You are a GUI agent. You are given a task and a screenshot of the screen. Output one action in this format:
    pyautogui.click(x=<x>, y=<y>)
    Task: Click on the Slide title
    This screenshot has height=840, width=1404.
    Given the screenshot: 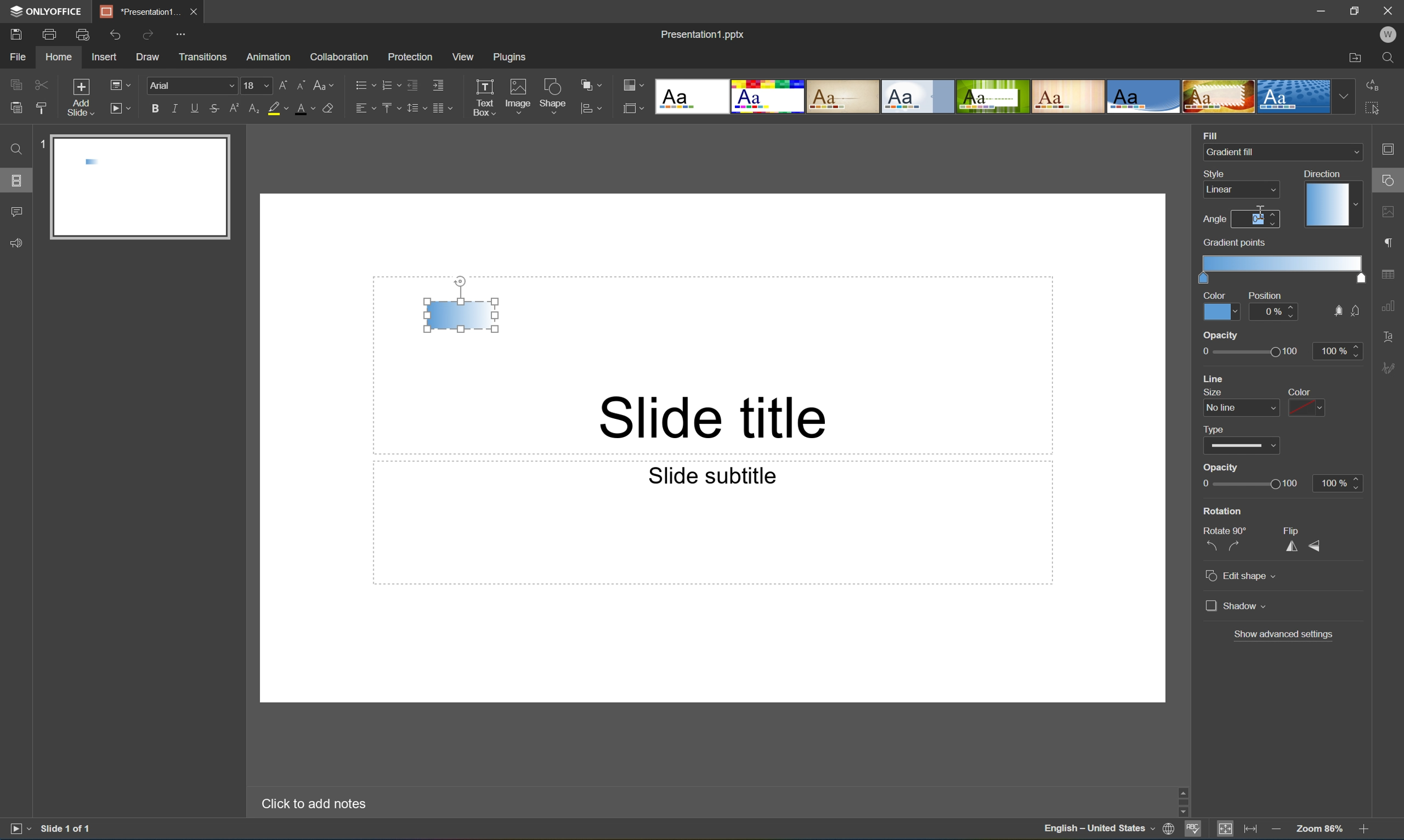 What is the action you would take?
    pyautogui.click(x=717, y=416)
    